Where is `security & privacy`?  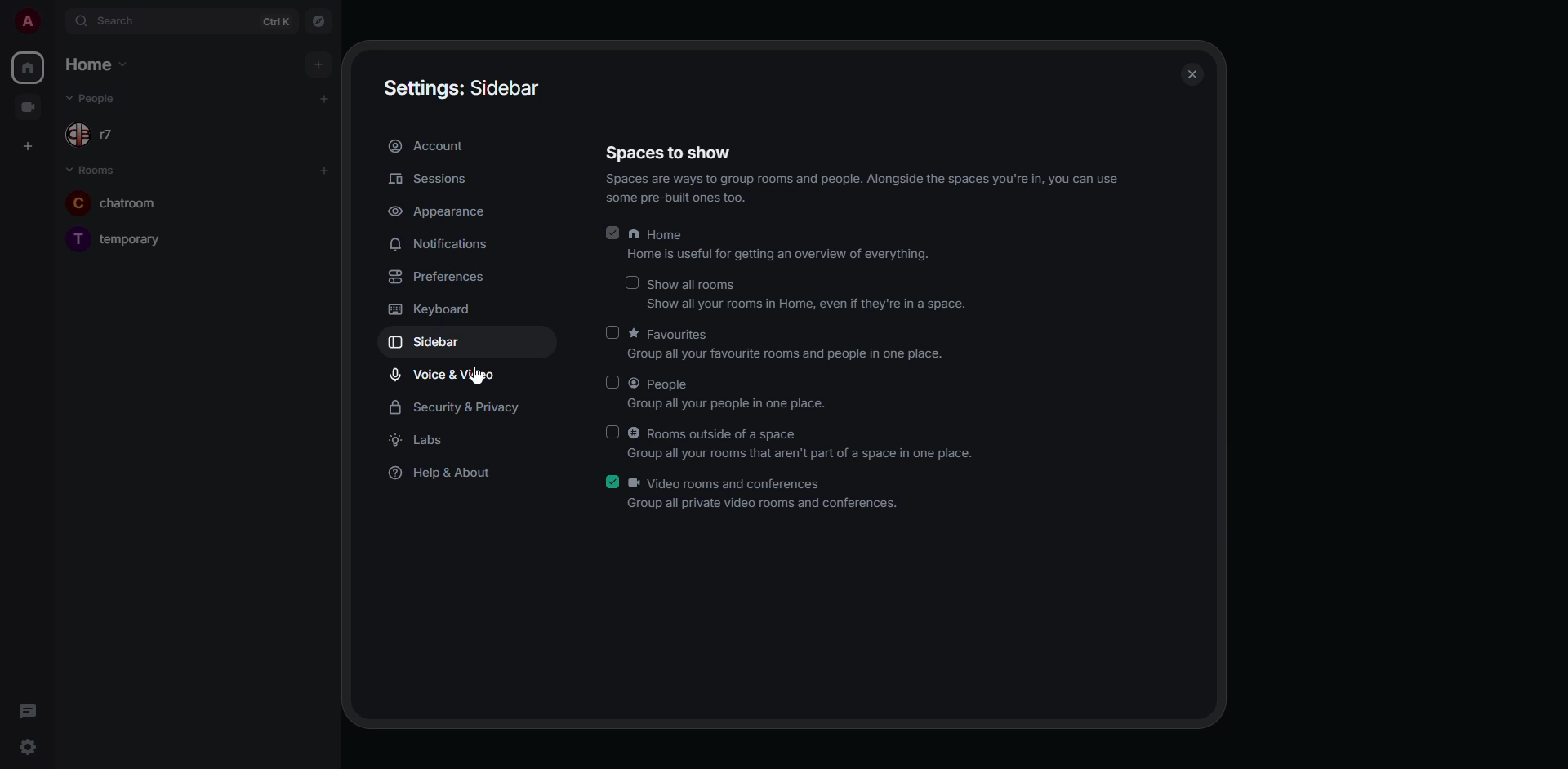 security & privacy is located at coordinates (458, 408).